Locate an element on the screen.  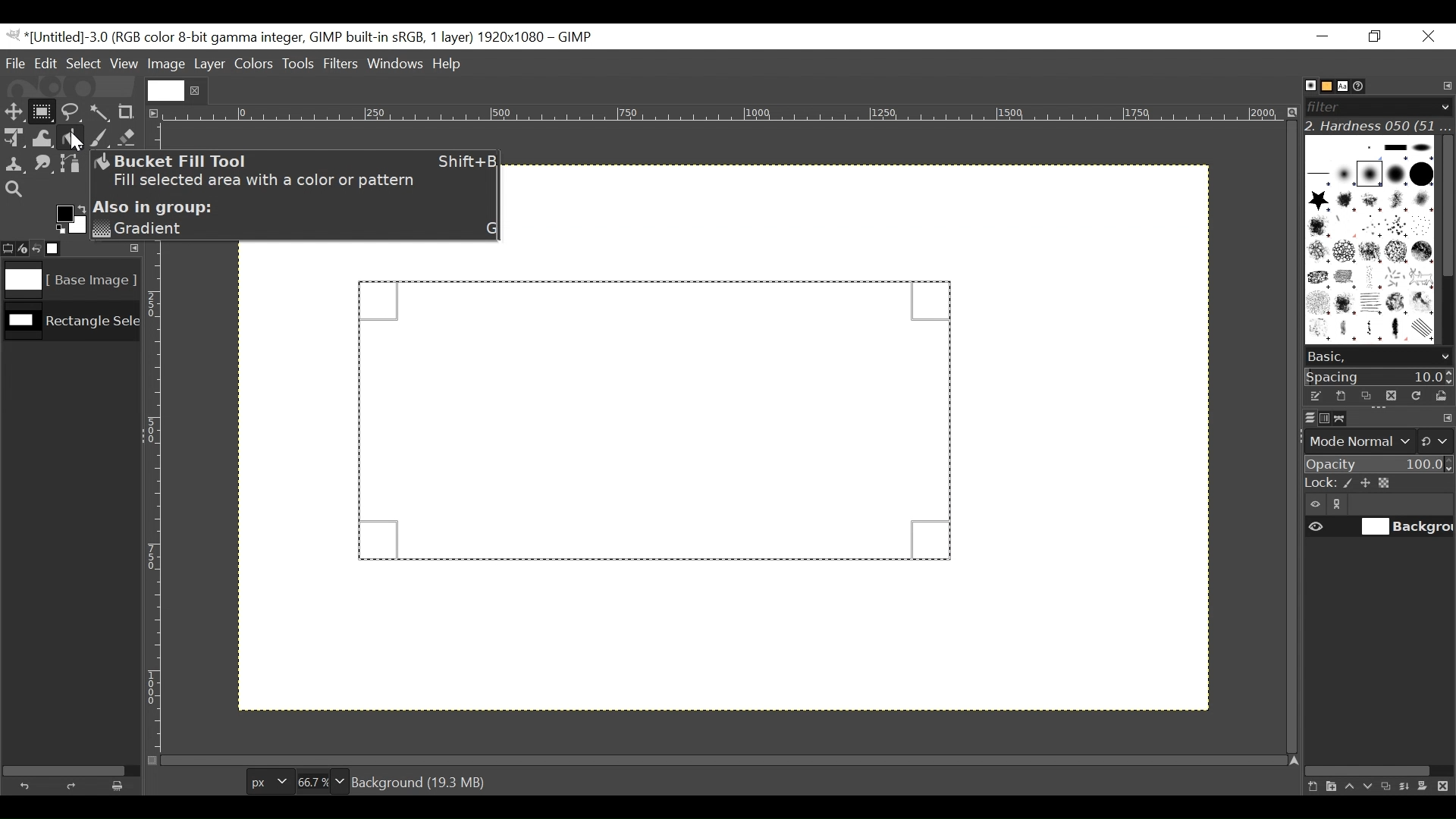
Move tool is located at coordinates (13, 110).